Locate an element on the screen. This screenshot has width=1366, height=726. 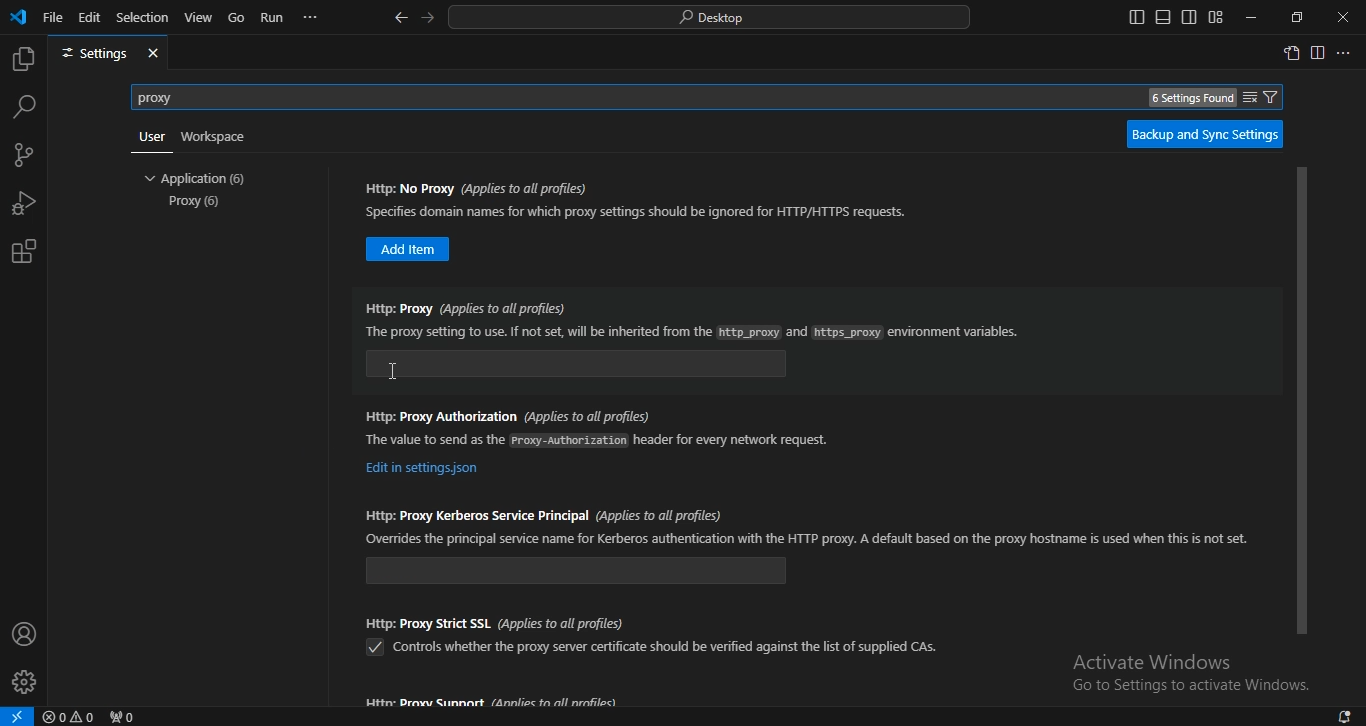
split editor right is located at coordinates (1317, 53).